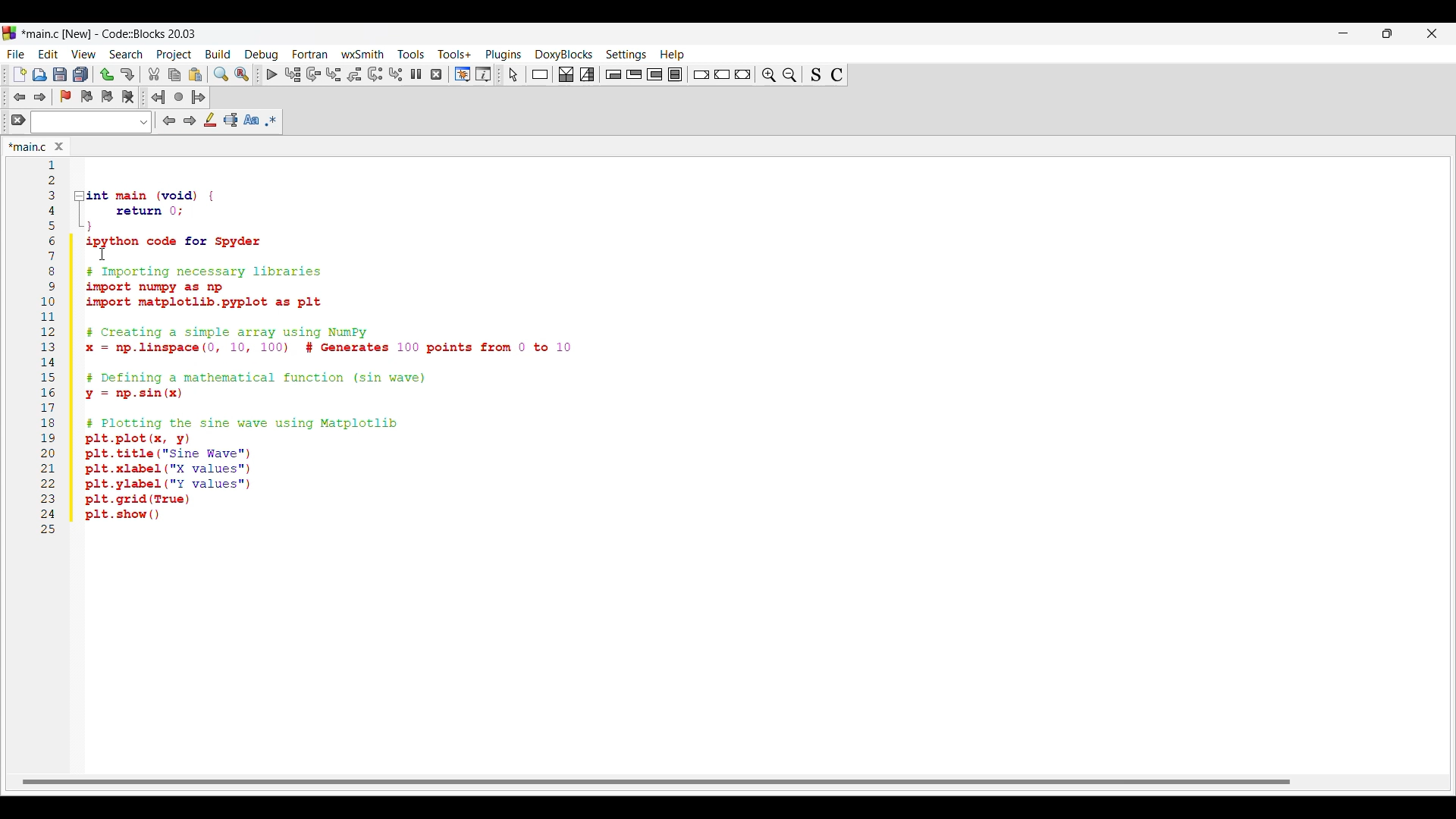 Image resolution: width=1456 pixels, height=819 pixels. I want to click on Step into, so click(334, 74).